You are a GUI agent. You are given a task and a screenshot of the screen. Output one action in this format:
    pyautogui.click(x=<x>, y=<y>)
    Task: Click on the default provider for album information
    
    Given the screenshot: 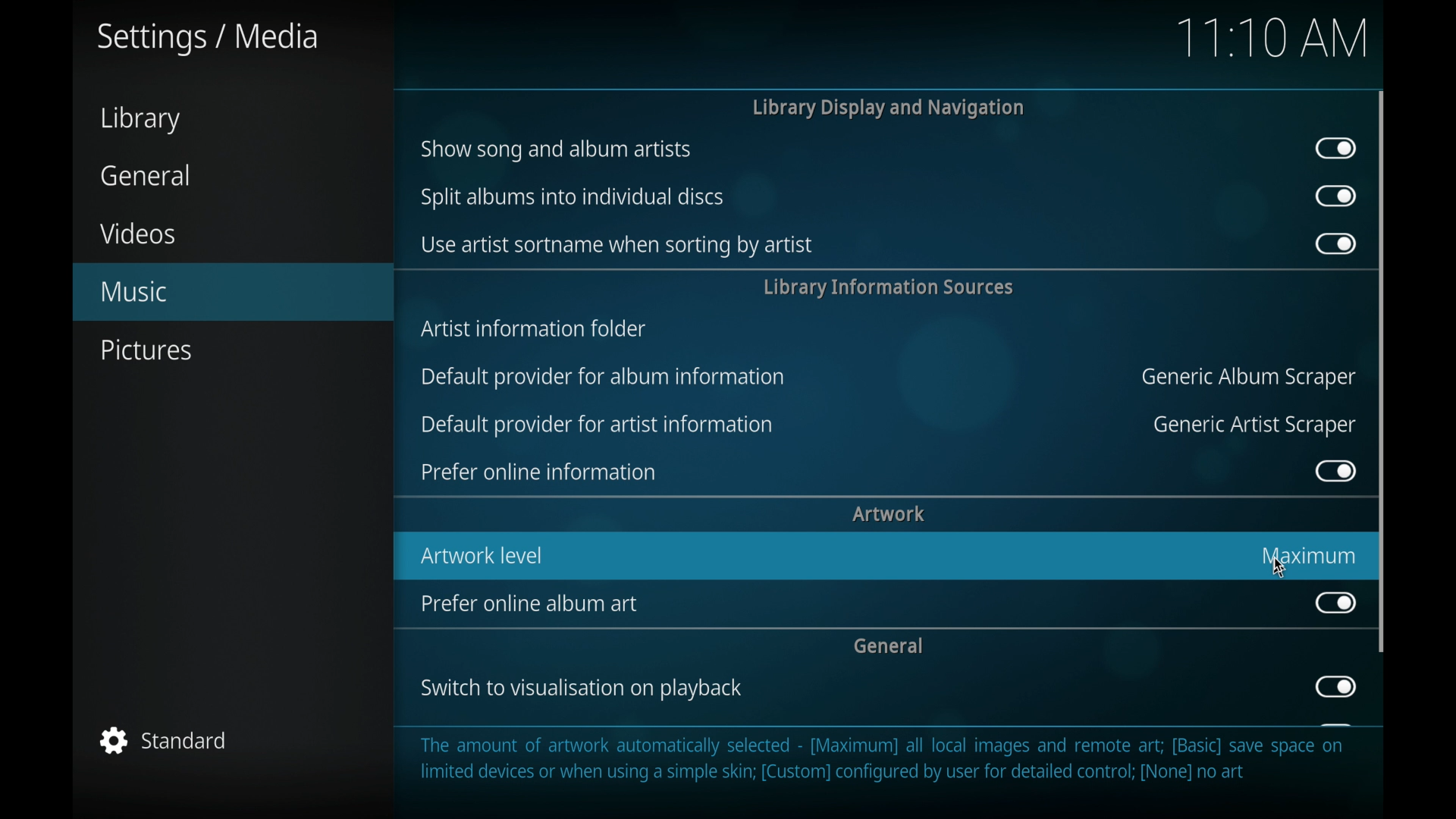 What is the action you would take?
    pyautogui.click(x=605, y=377)
    